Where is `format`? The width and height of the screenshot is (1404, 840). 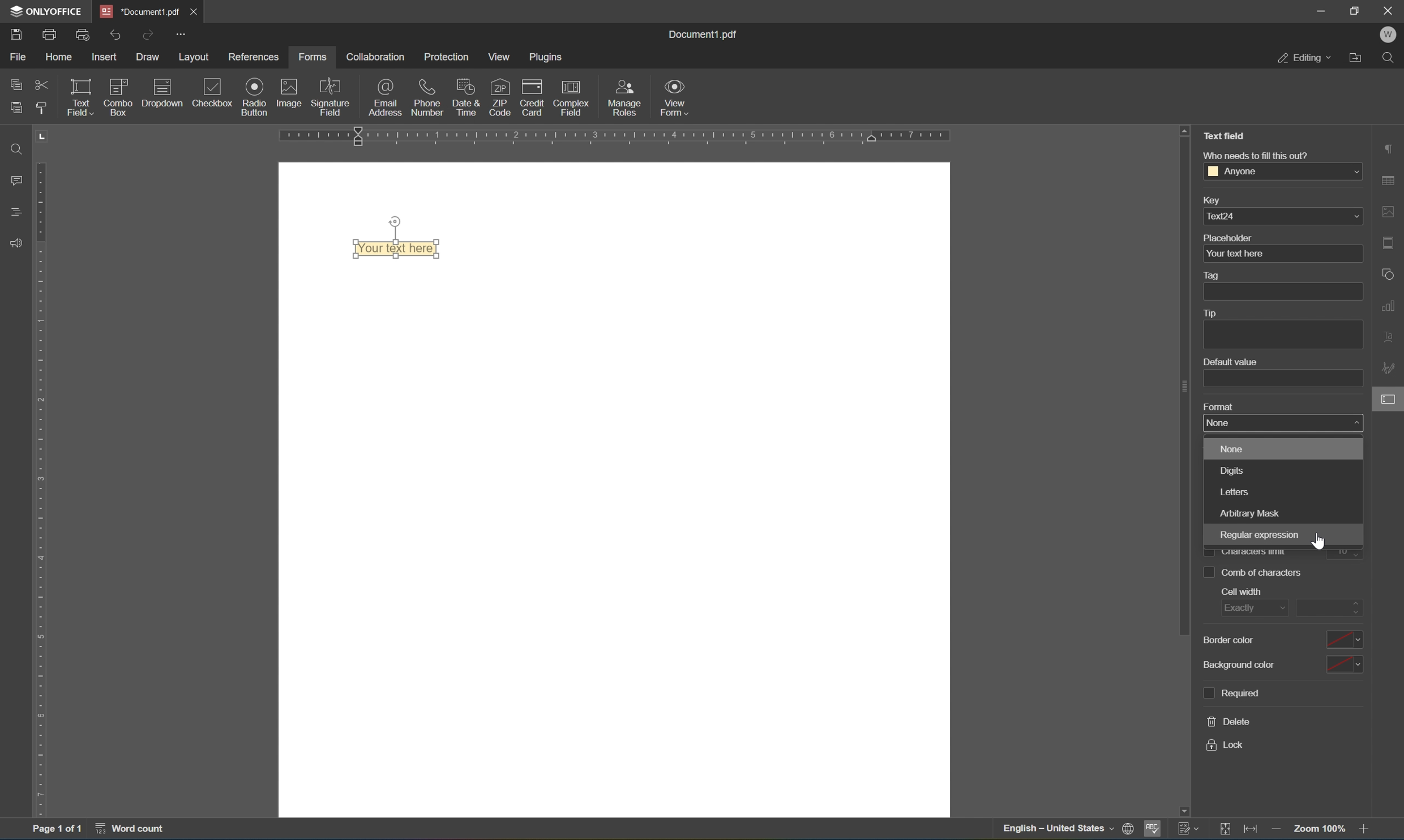
format is located at coordinates (1219, 408).